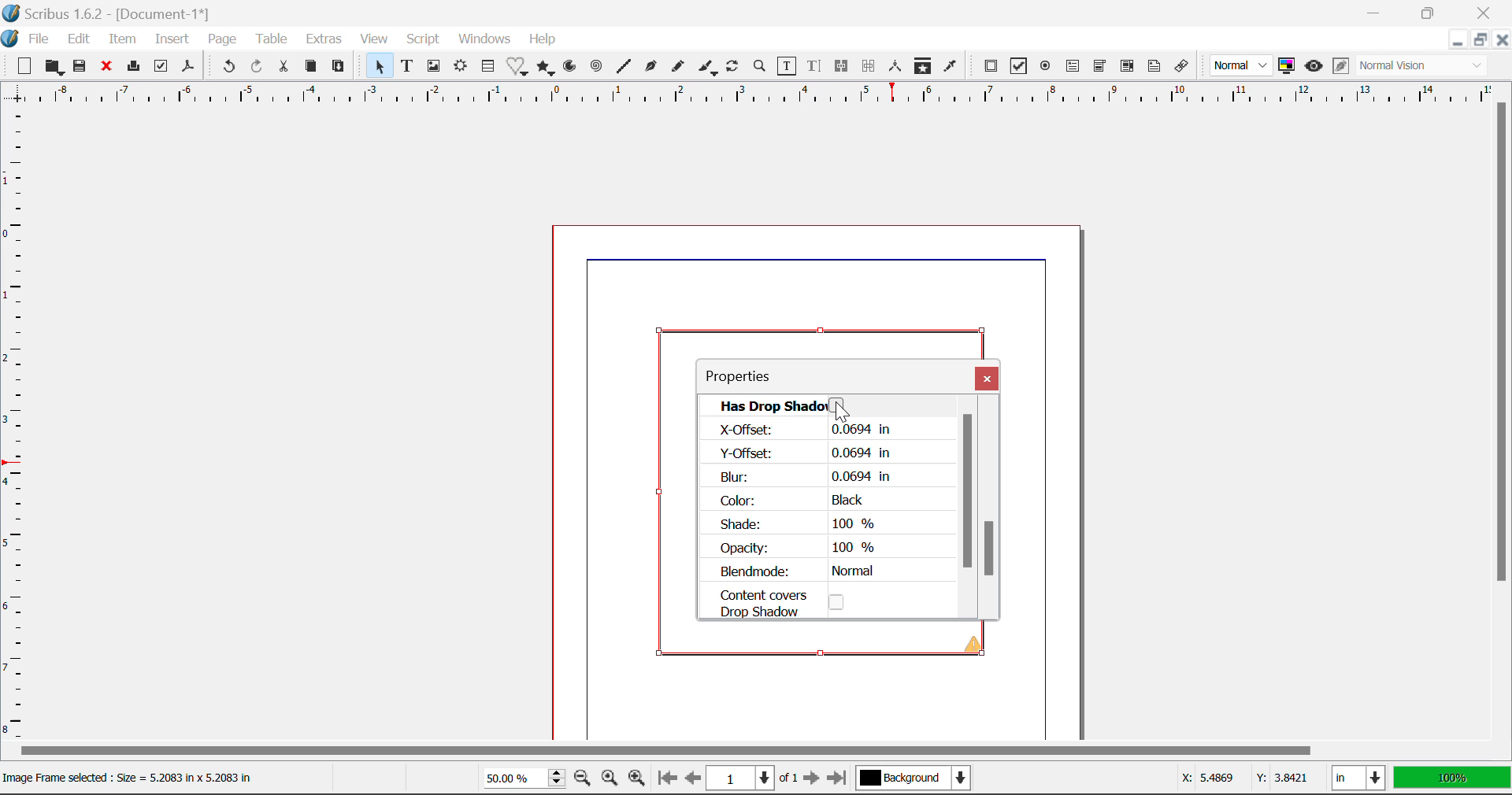 The height and width of the screenshot is (795, 1512). What do you see at coordinates (598, 69) in the screenshot?
I see `Spiral` at bounding box center [598, 69].